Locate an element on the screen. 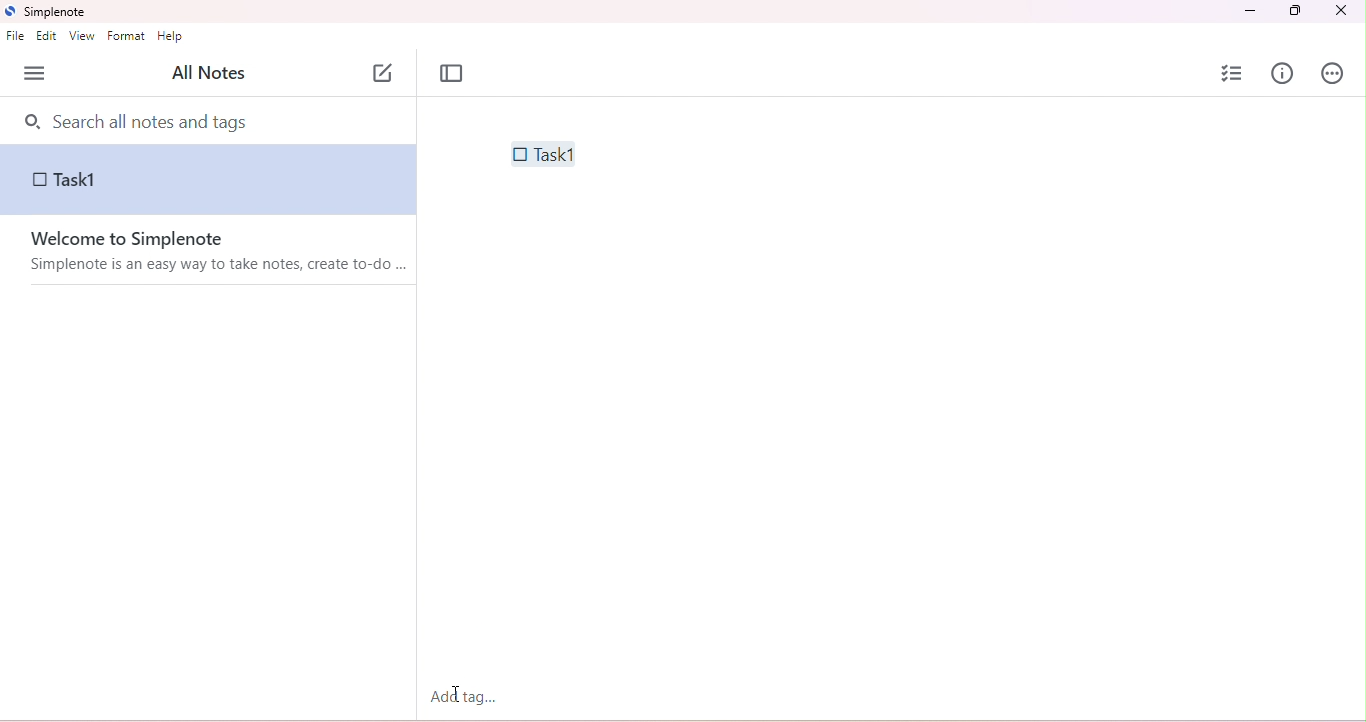 The width and height of the screenshot is (1366, 722). help is located at coordinates (172, 38).